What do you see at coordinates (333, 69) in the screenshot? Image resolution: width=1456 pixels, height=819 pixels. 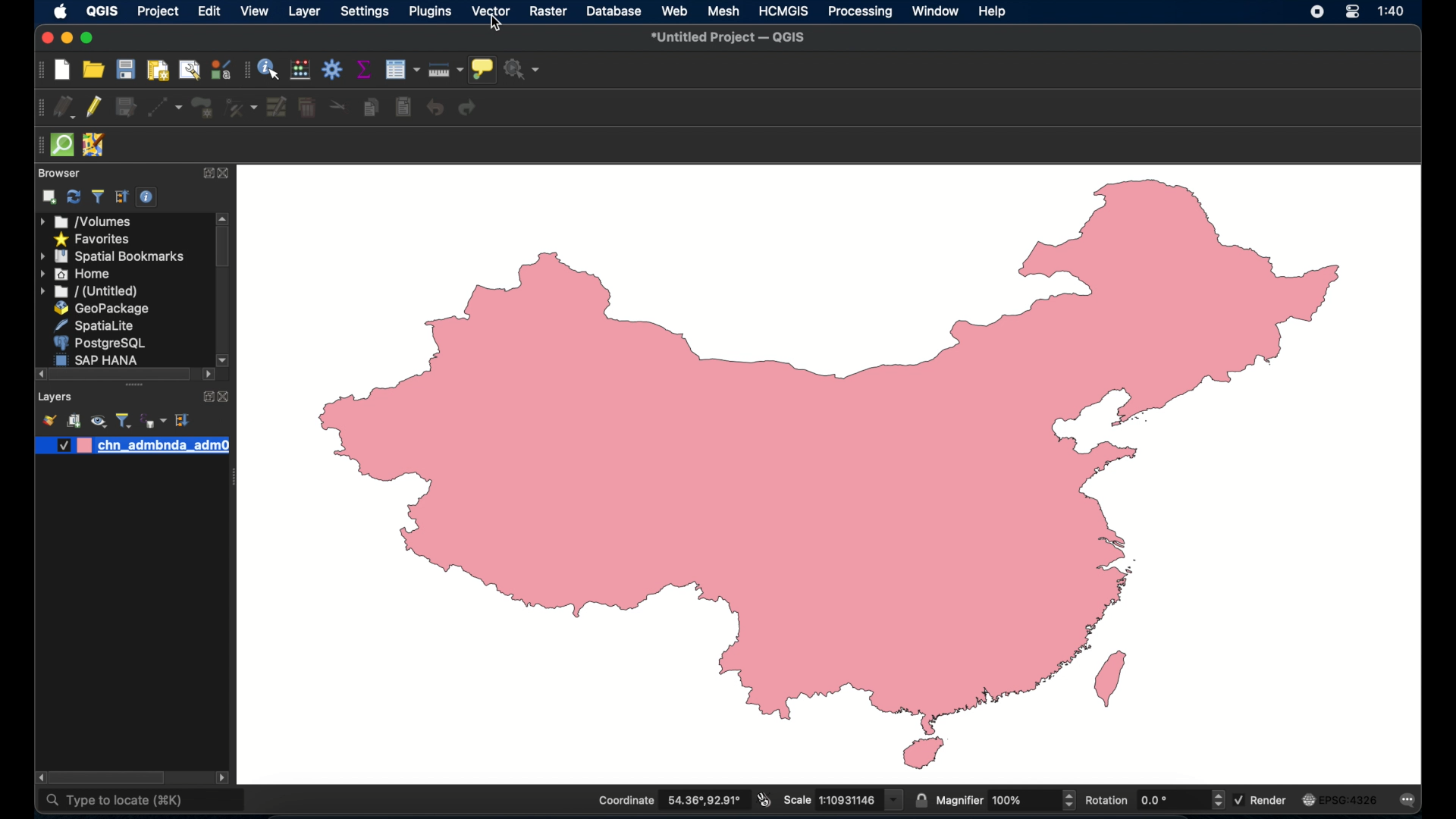 I see `toolbox` at bounding box center [333, 69].